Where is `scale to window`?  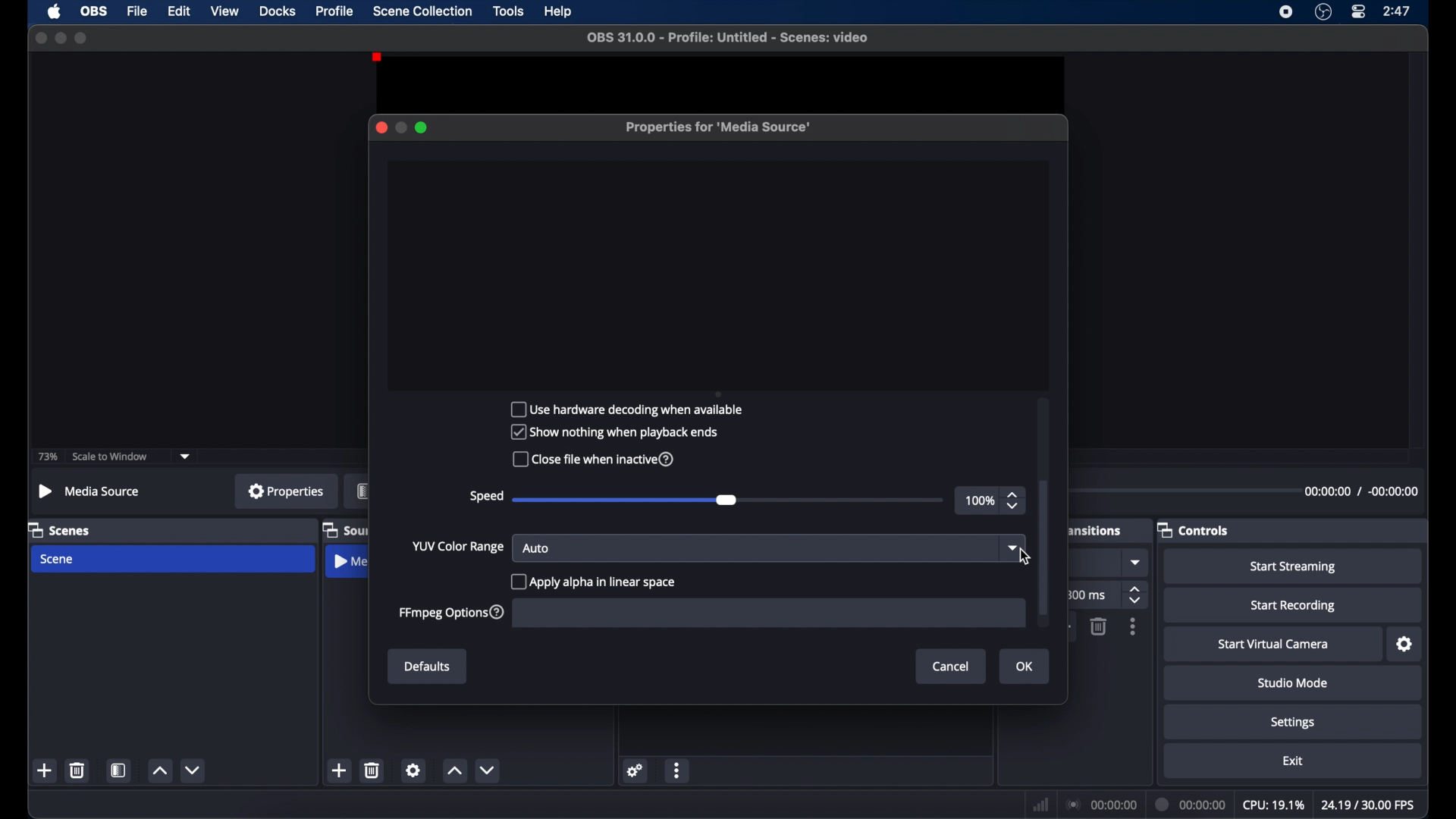 scale to window is located at coordinates (110, 457).